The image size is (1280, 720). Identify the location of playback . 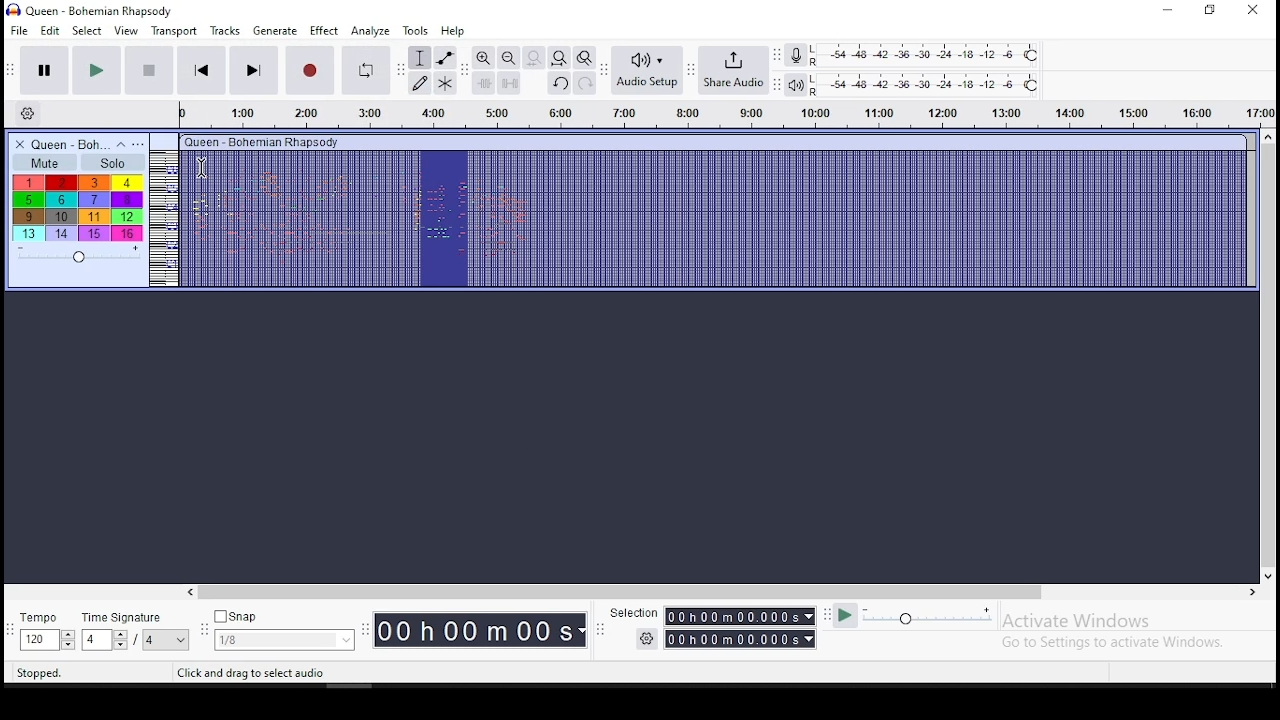
(797, 86).